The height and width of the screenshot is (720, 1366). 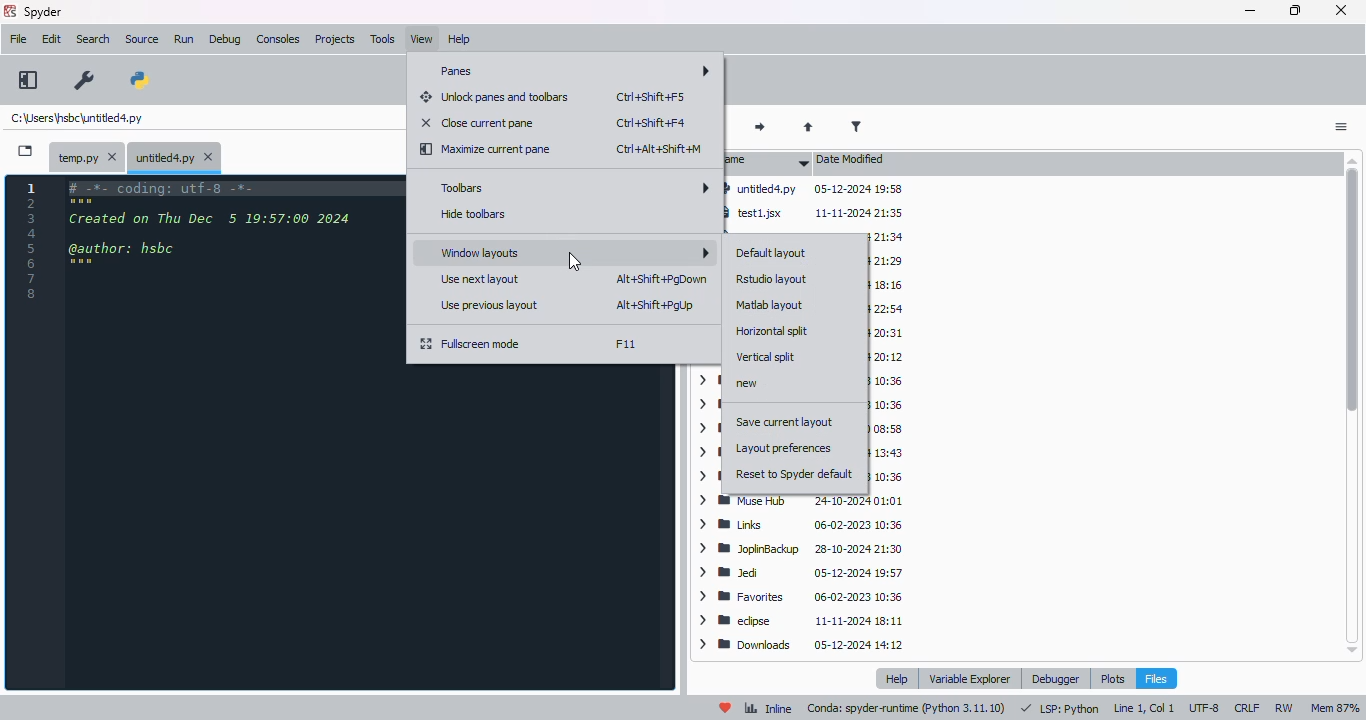 What do you see at coordinates (805, 501) in the screenshot?
I see `Muse Hub` at bounding box center [805, 501].